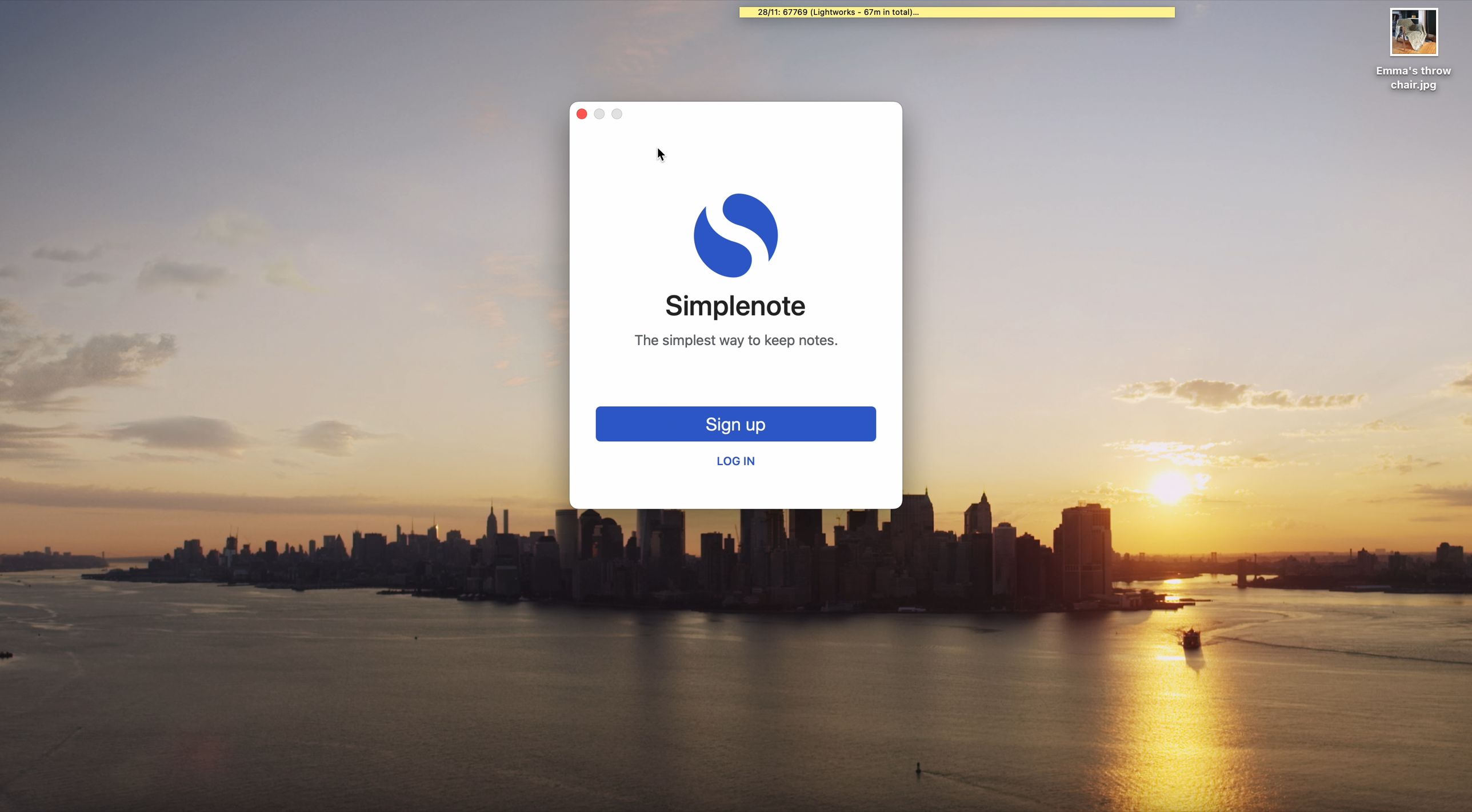  What do you see at coordinates (605, 115) in the screenshot?
I see `minimize popup` at bounding box center [605, 115].